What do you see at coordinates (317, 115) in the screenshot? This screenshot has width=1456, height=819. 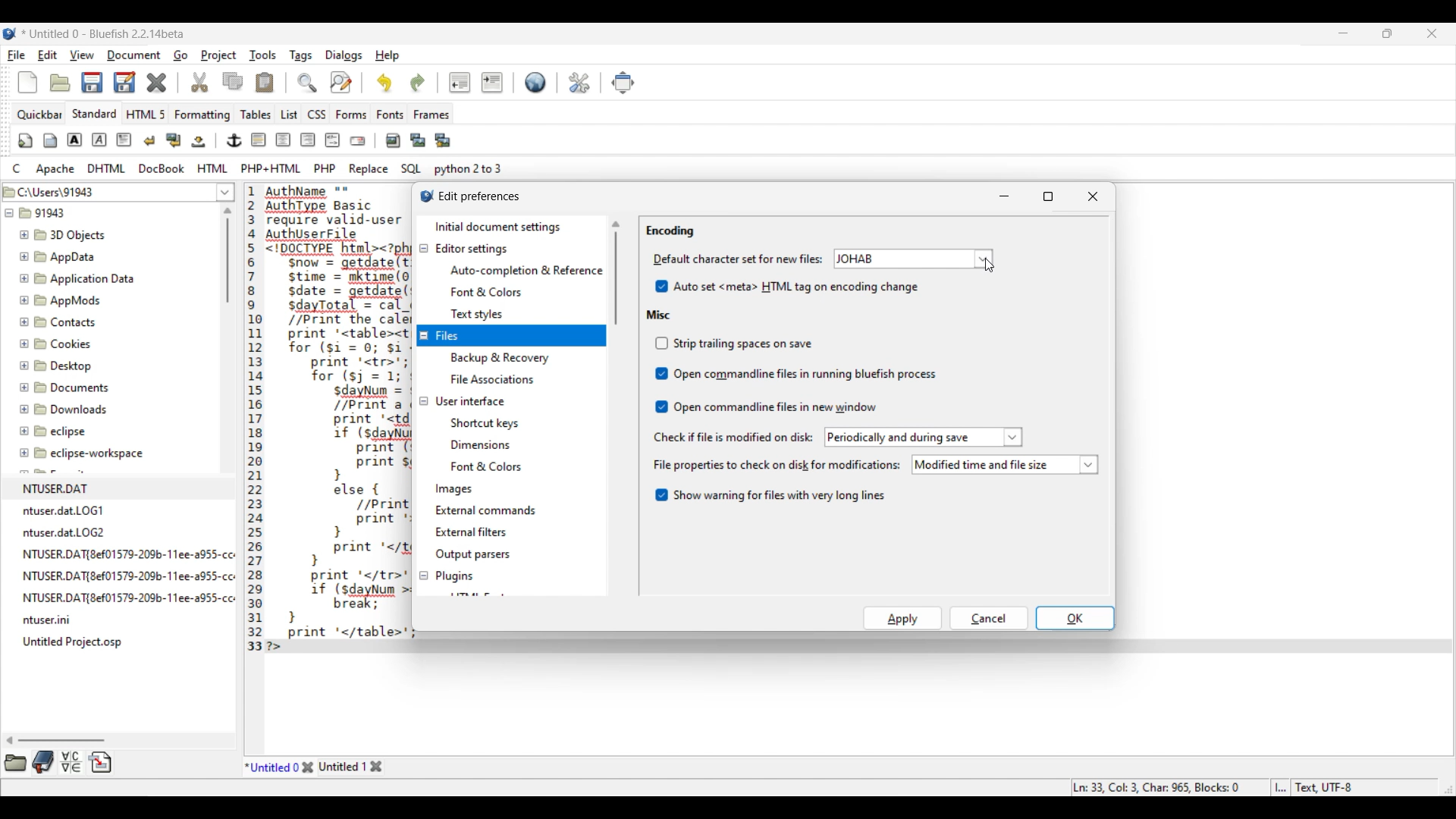 I see `CSS` at bounding box center [317, 115].